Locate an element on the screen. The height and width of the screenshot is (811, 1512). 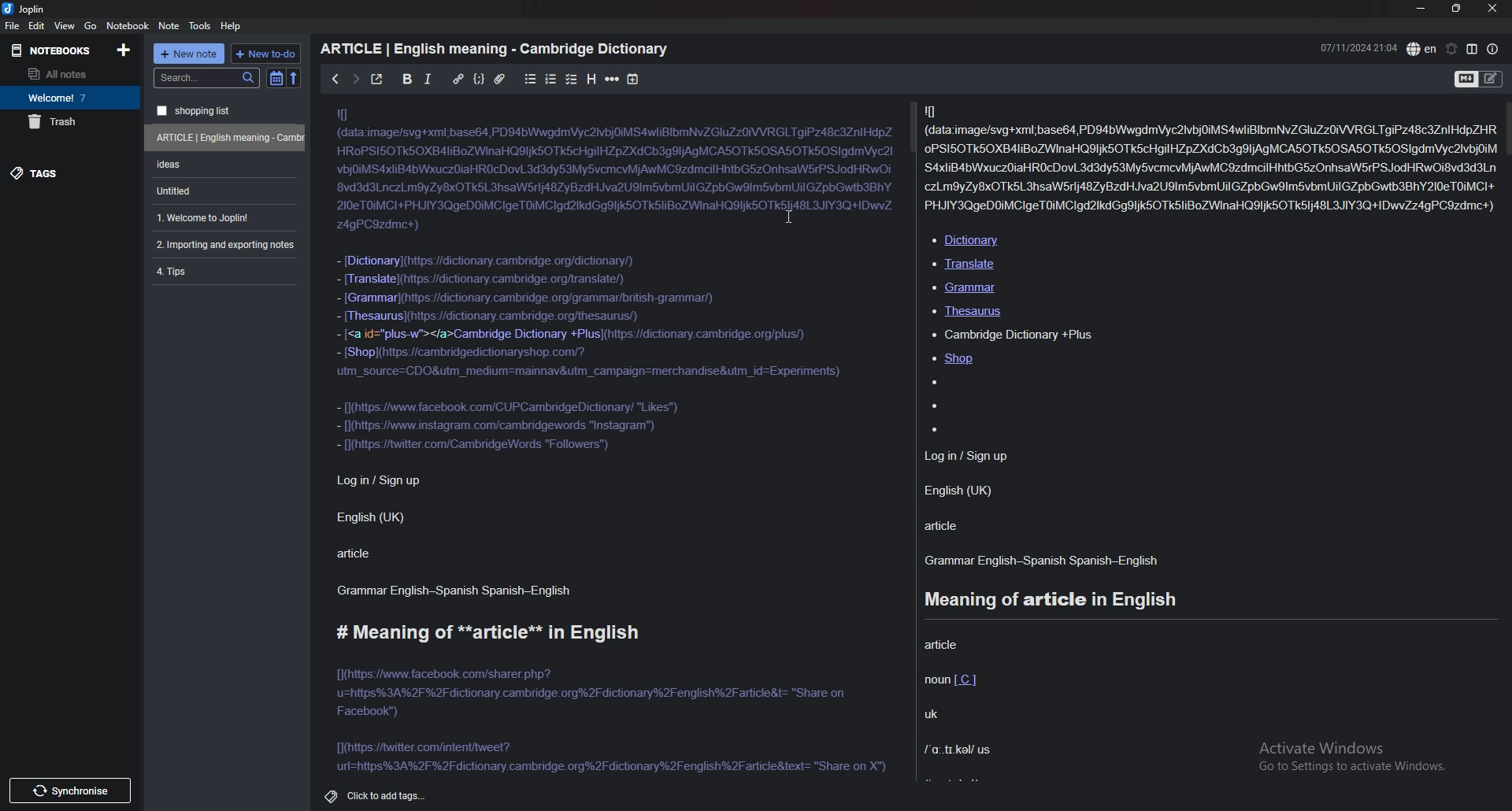
go is located at coordinates (90, 26).